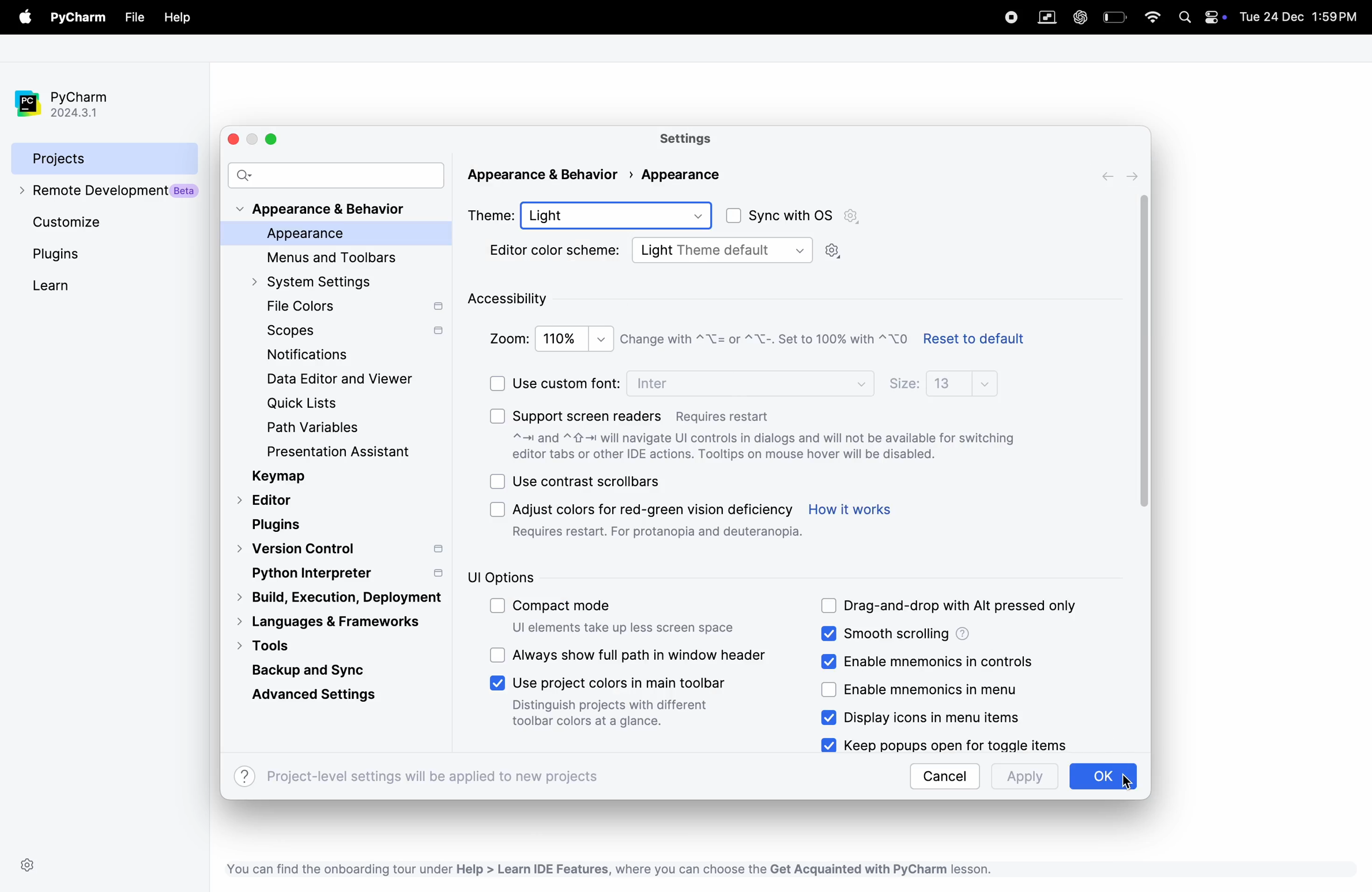 This screenshot has height=892, width=1372. Describe the element at coordinates (956, 604) in the screenshot. I see `drag and drop alt pressed only` at that location.